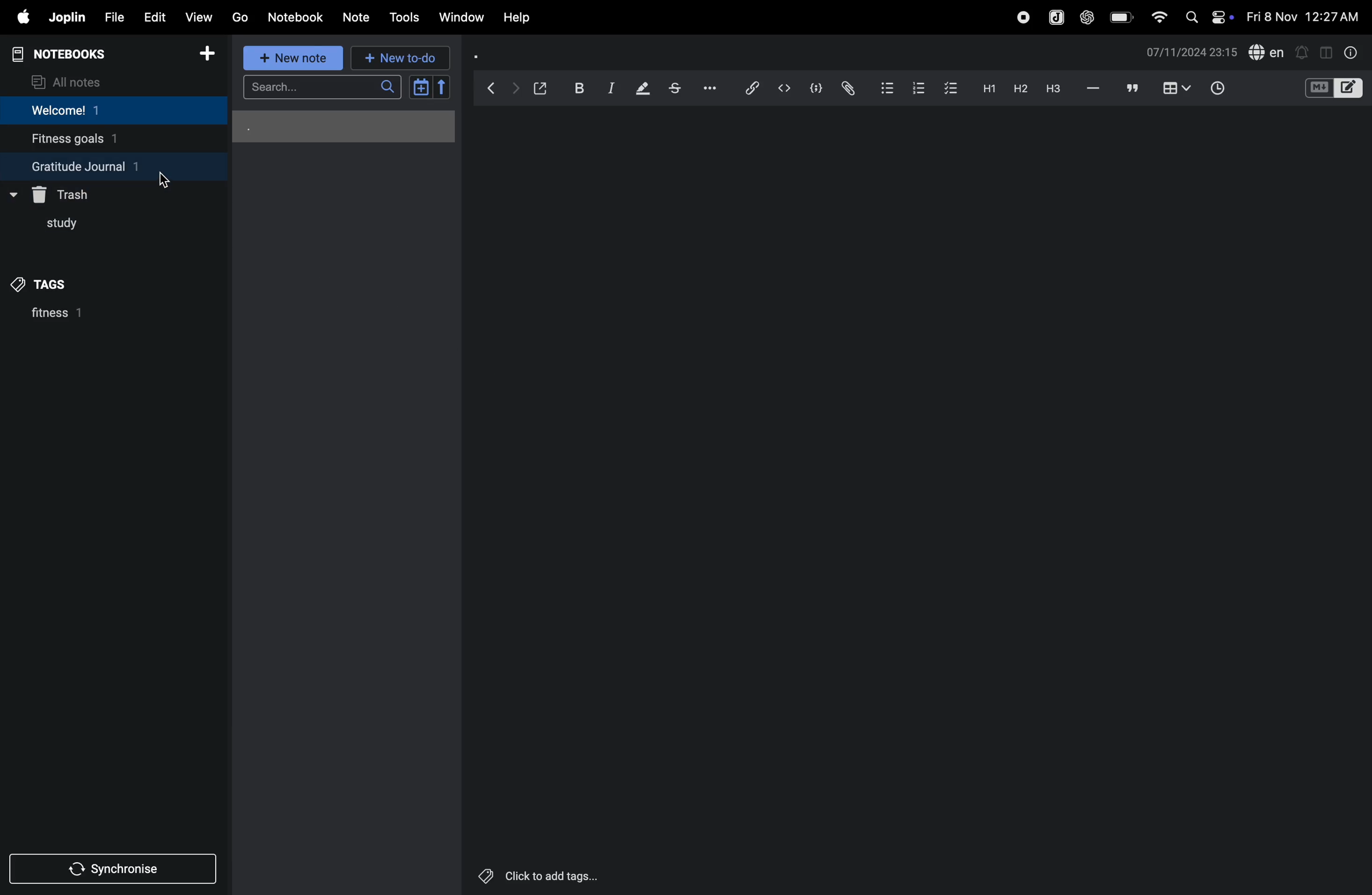  What do you see at coordinates (404, 18) in the screenshot?
I see `tools` at bounding box center [404, 18].